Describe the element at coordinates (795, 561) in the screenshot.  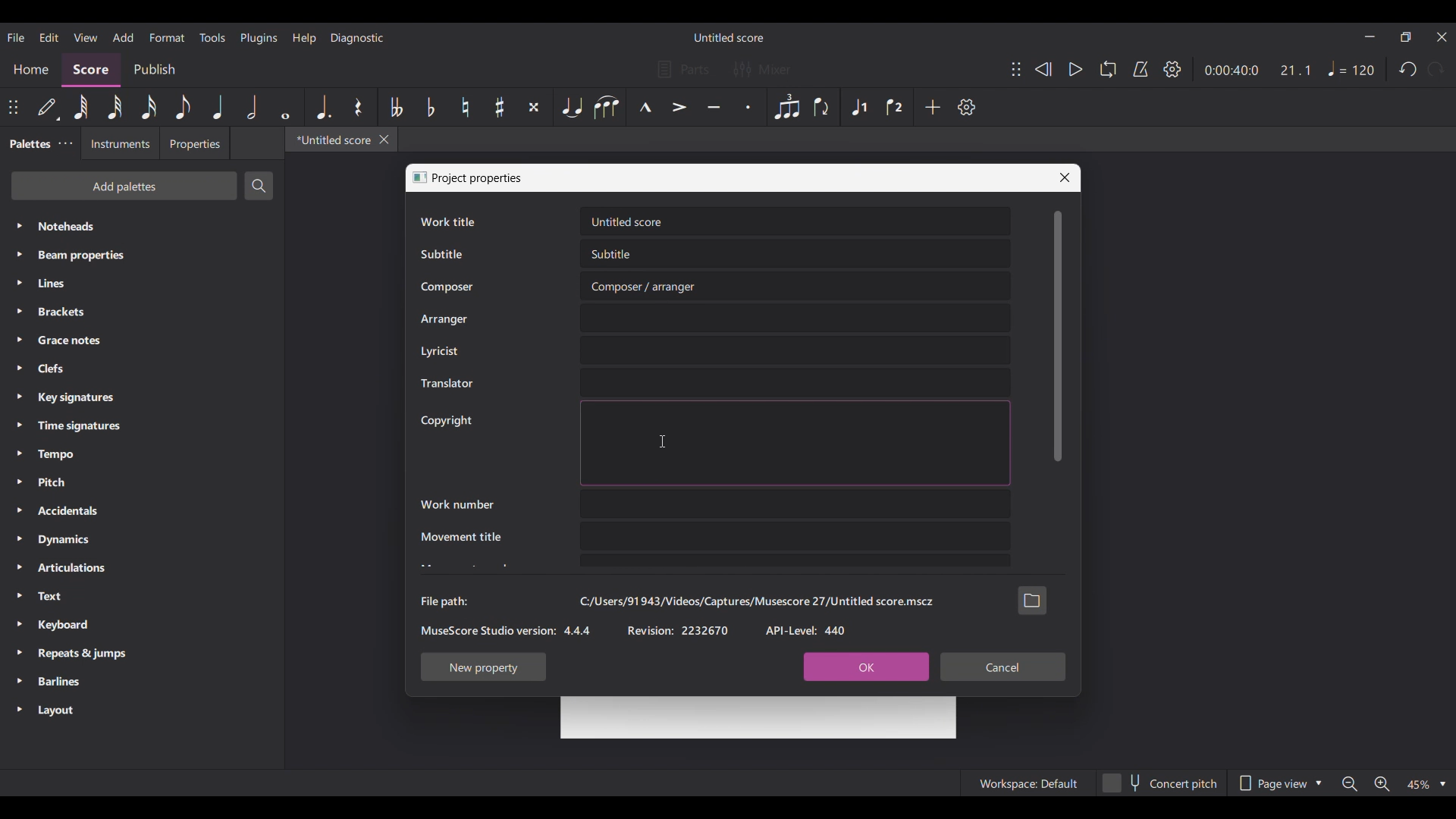
I see `Text box` at that location.